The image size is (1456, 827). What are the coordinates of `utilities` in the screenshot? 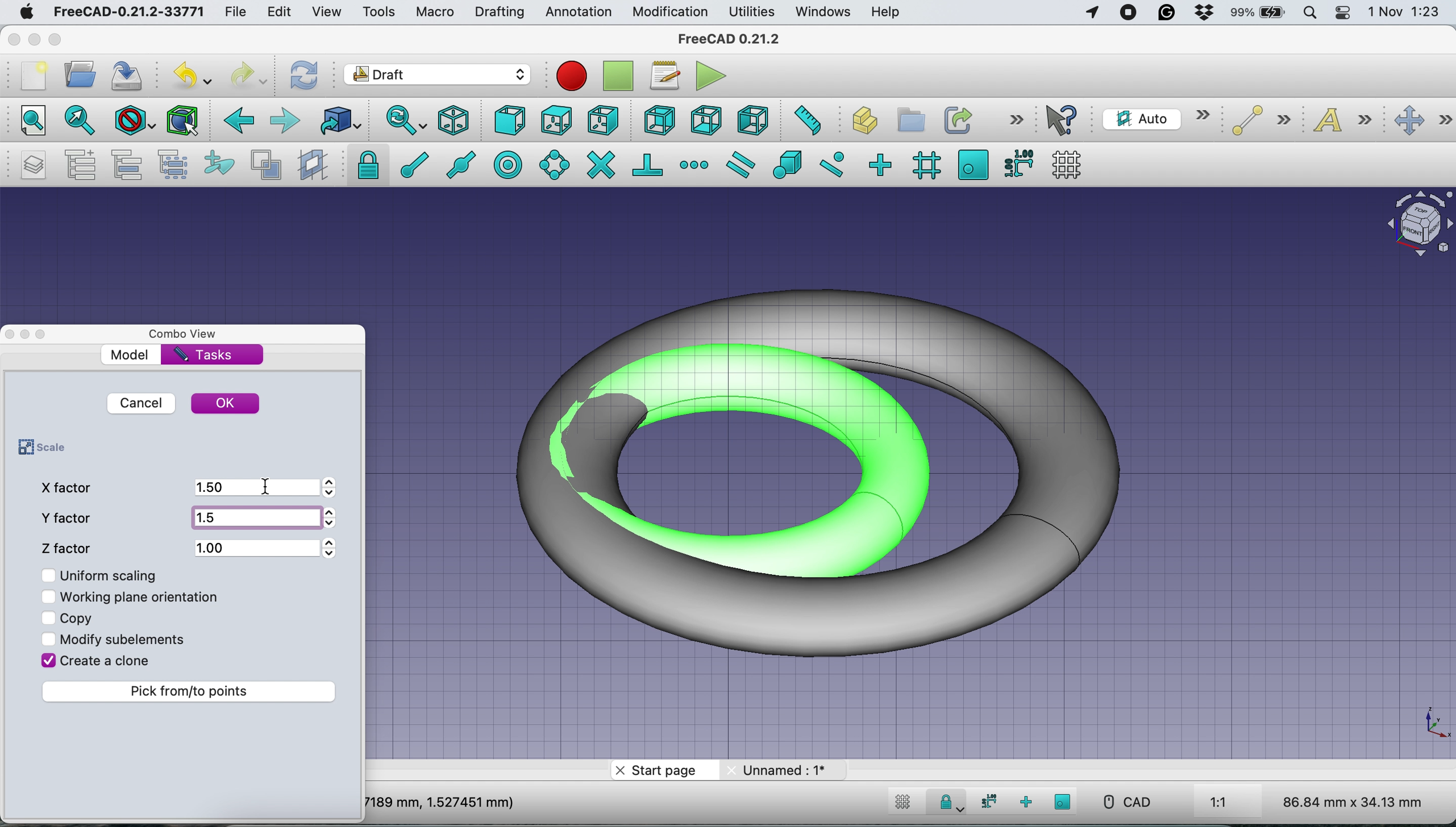 It's located at (753, 12).